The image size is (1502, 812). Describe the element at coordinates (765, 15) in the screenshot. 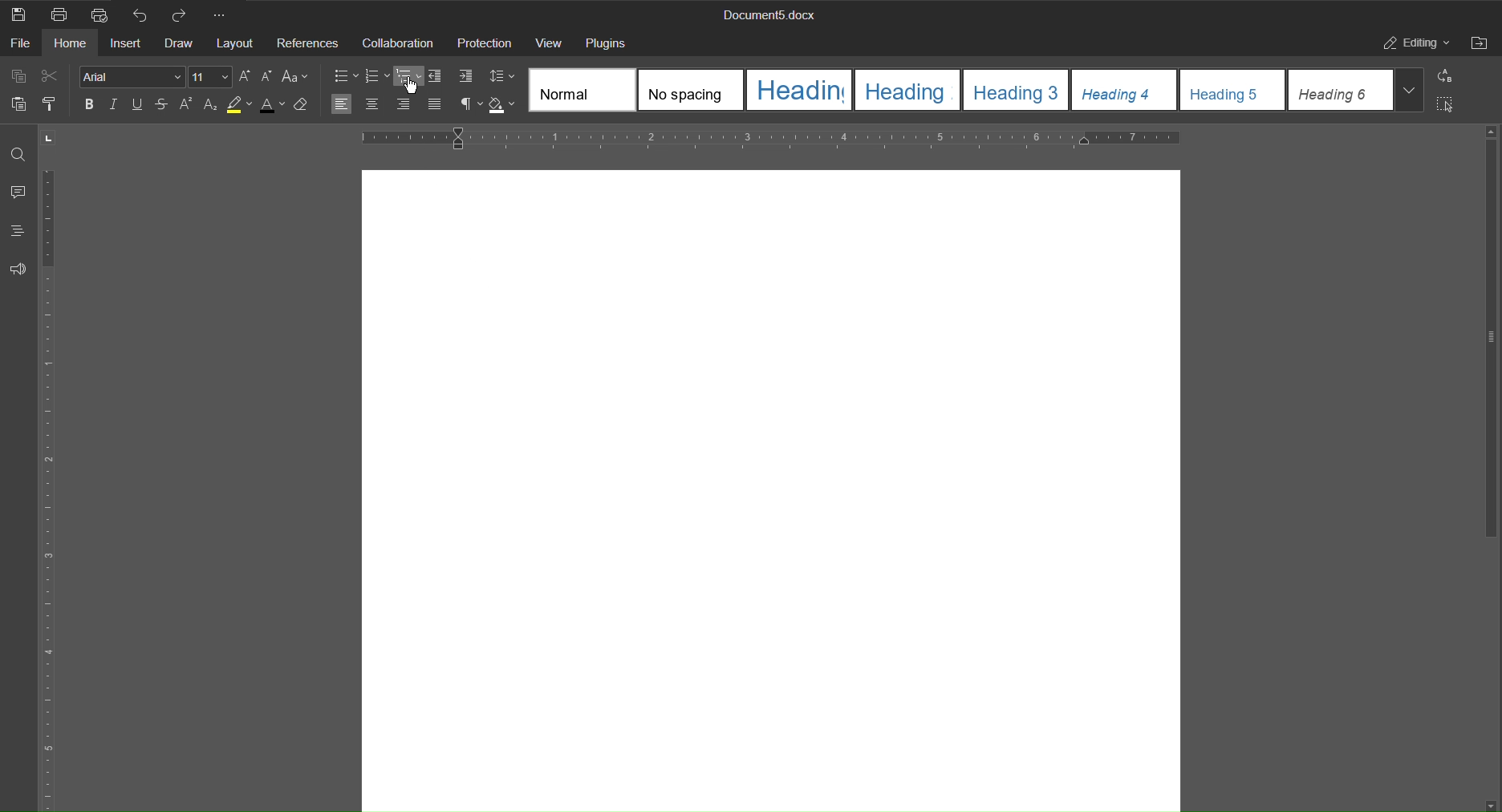

I see `Document5.docx` at that location.